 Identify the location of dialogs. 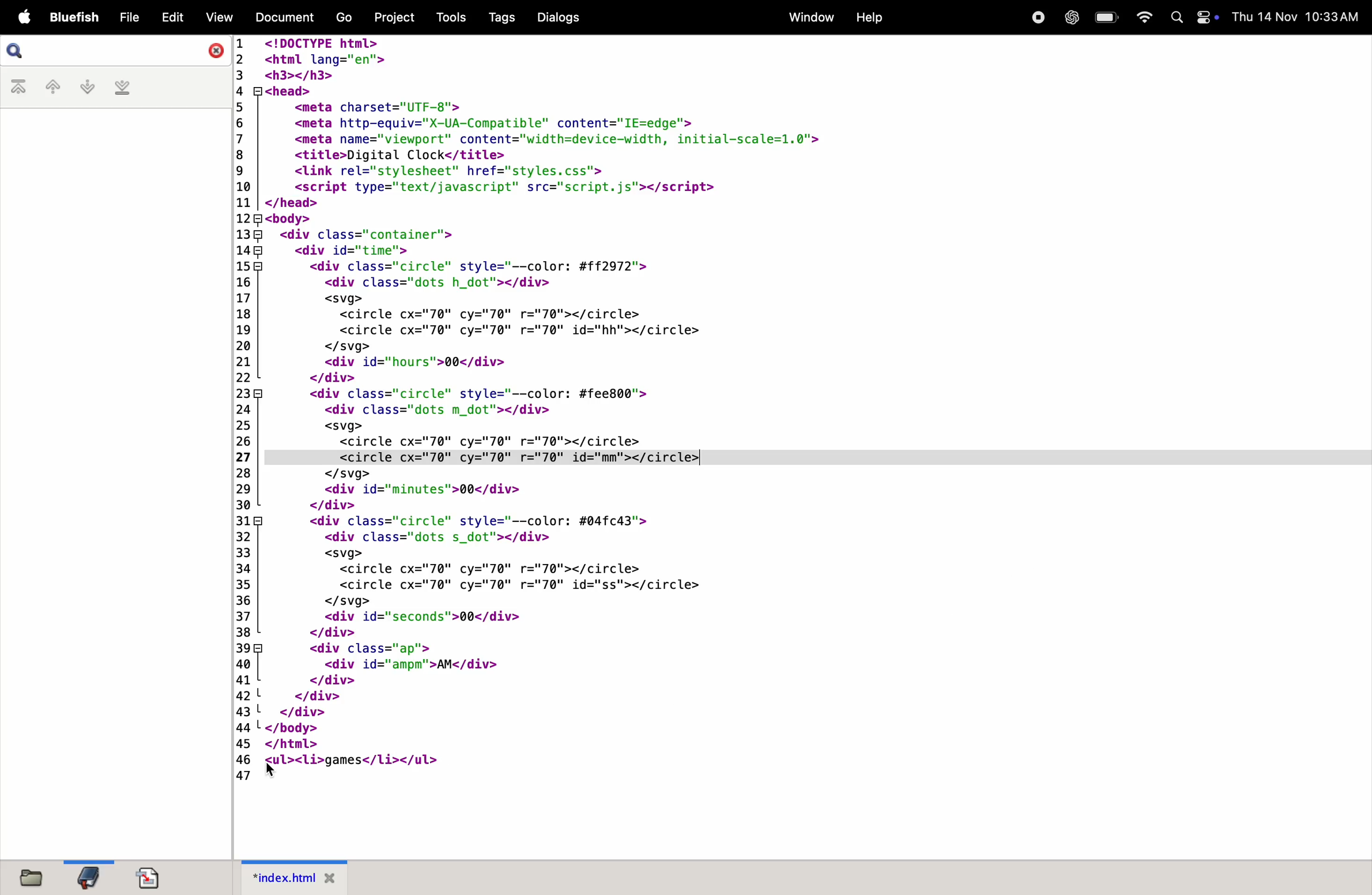
(559, 18).